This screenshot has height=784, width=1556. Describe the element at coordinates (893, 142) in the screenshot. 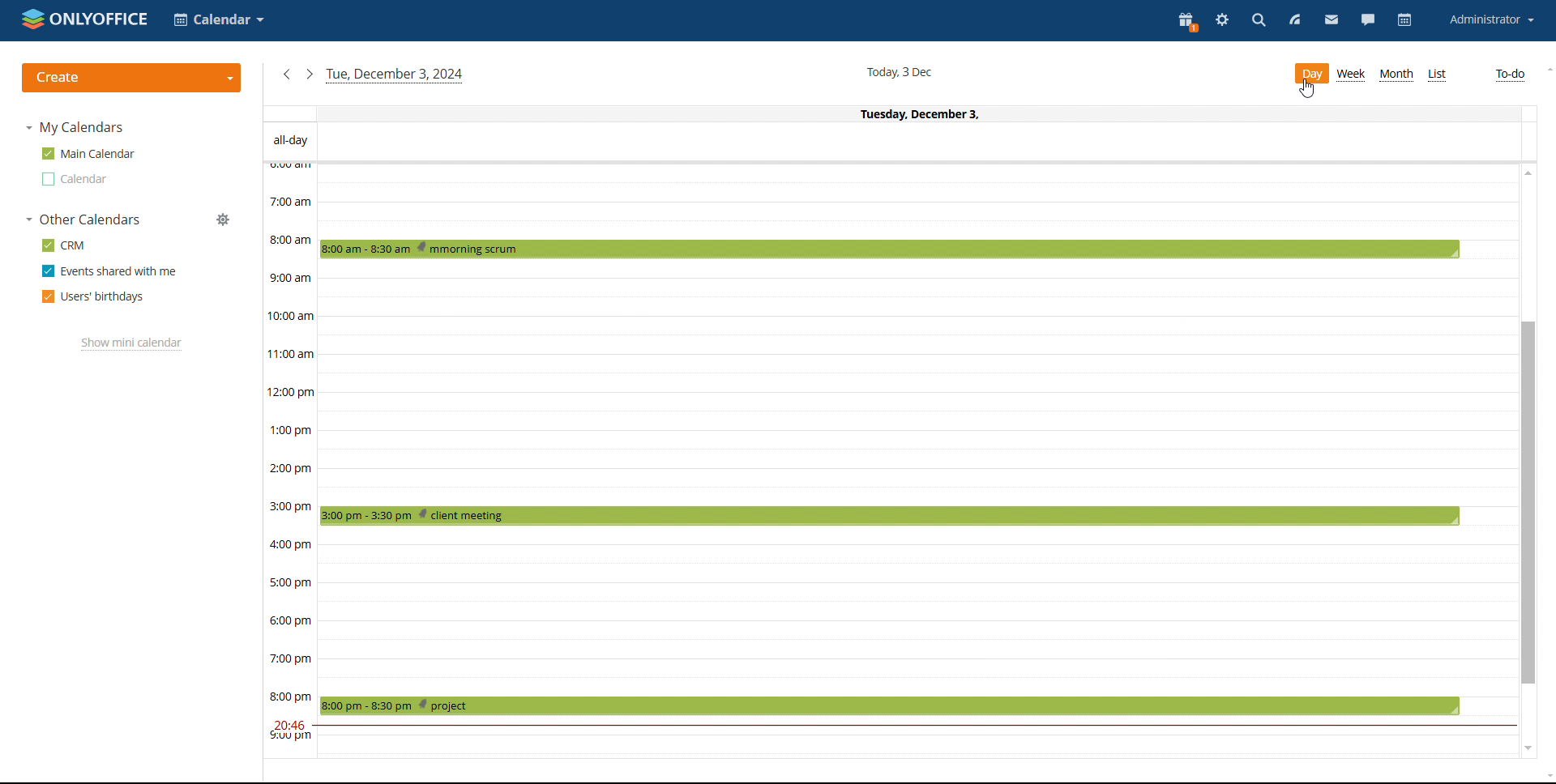

I see `all day event` at that location.